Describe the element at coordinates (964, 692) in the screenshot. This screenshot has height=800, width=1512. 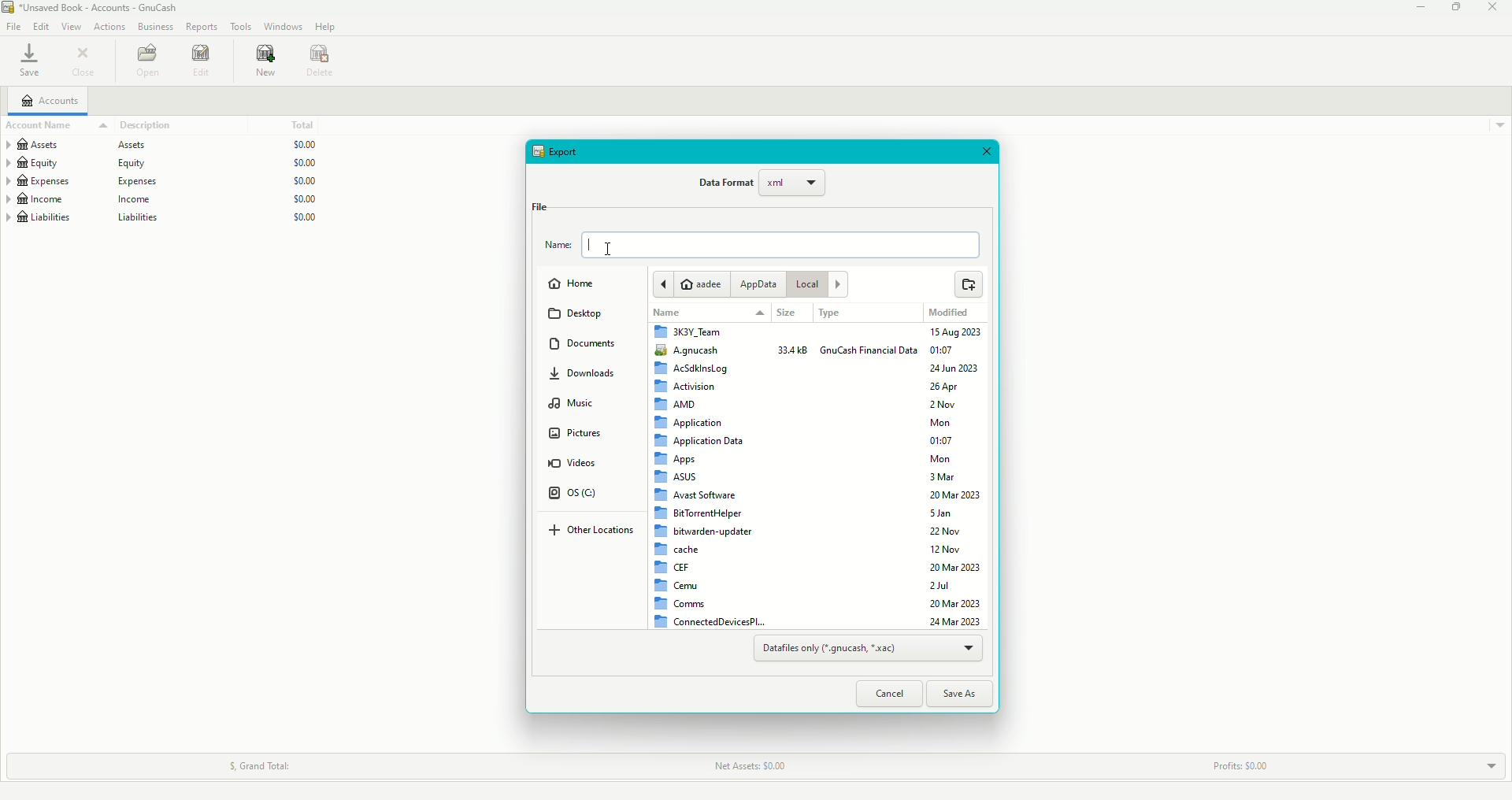
I see `Save As` at that location.